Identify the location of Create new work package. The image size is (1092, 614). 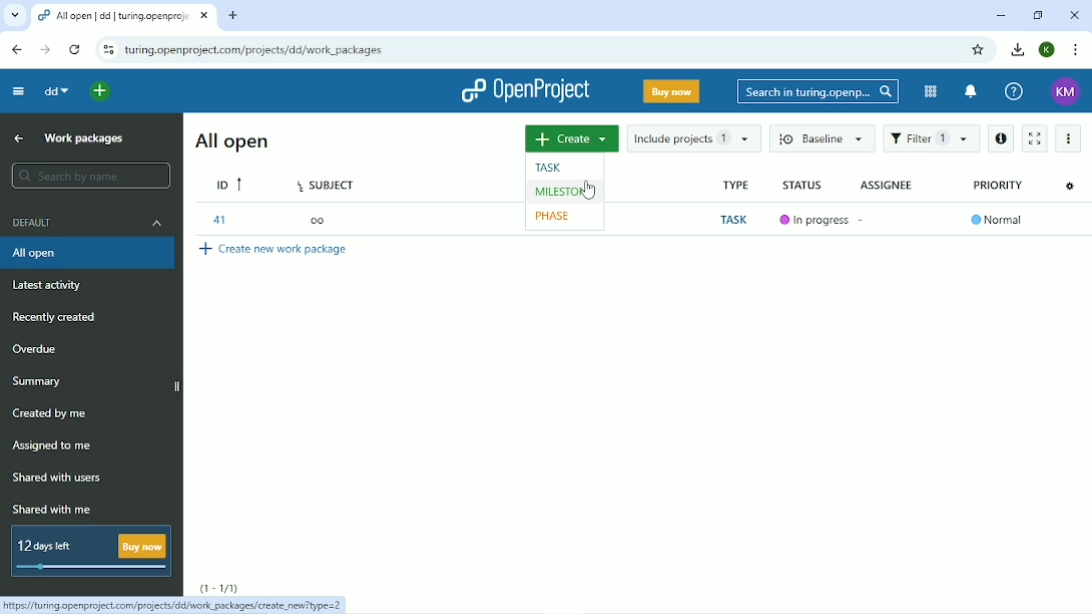
(274, 248).